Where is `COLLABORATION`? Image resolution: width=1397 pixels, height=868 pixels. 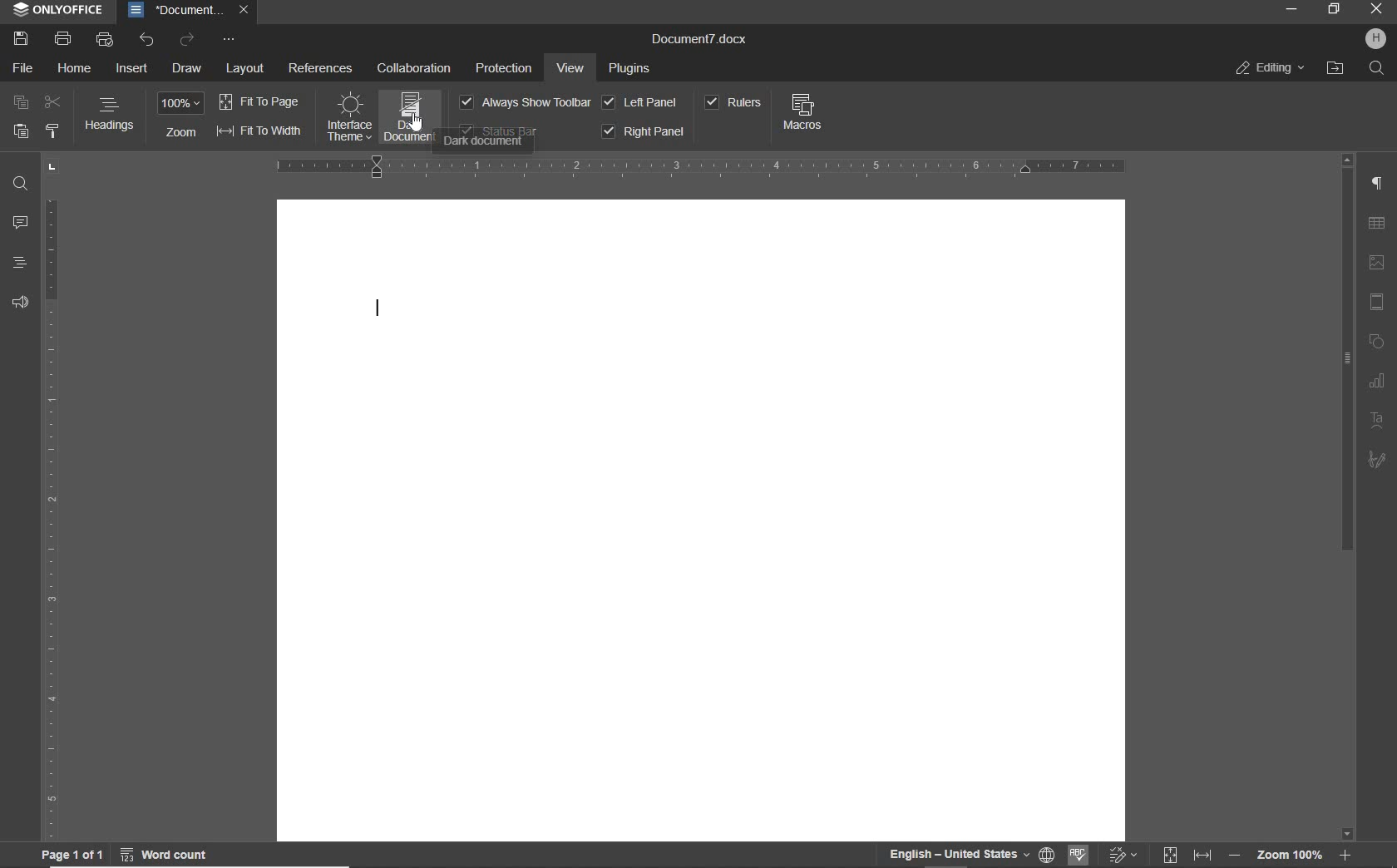 COLLABORATION is located at coordinates (414, 69).